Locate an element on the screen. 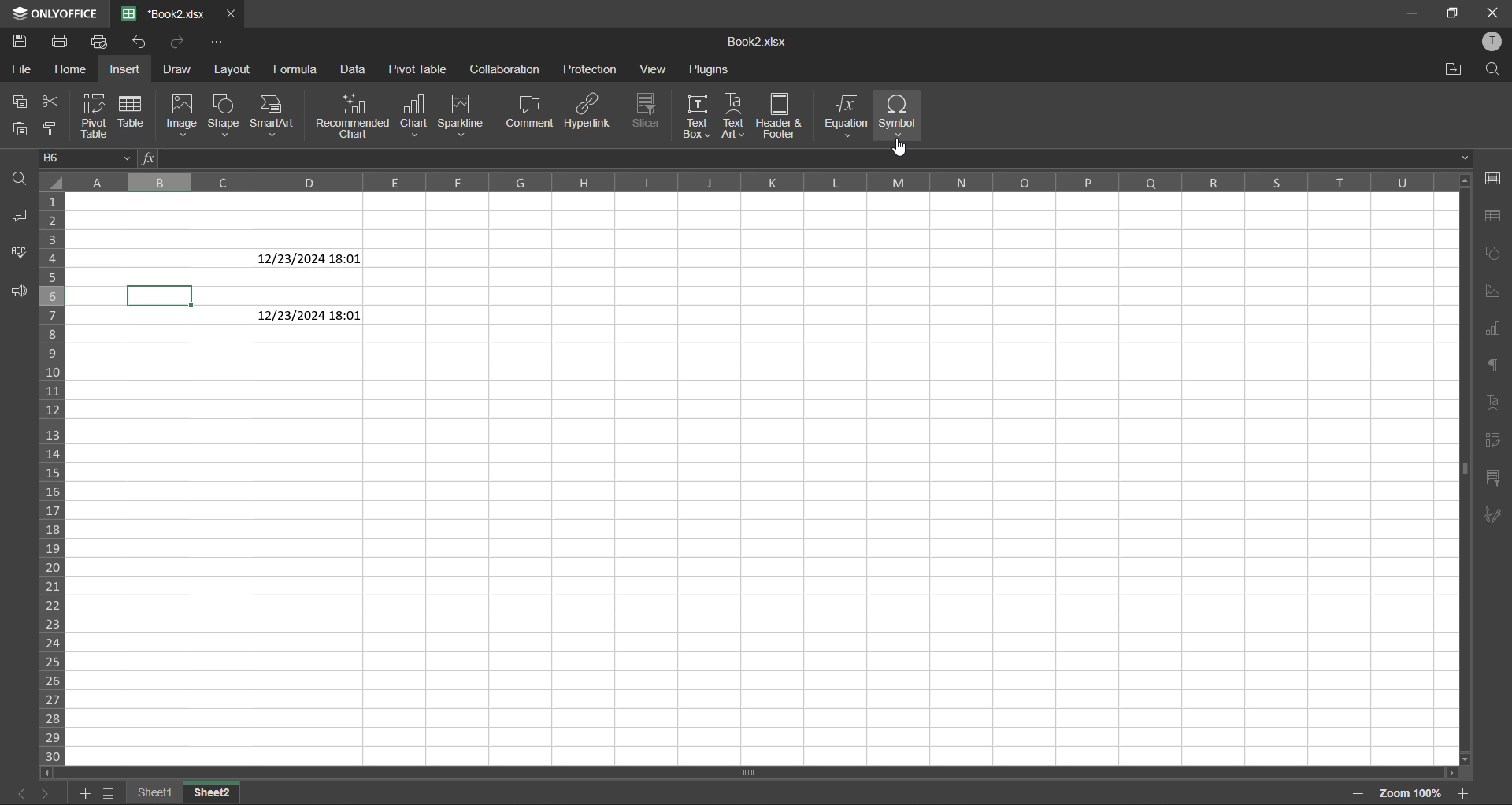  copy  is located at coordinates (17, 99).